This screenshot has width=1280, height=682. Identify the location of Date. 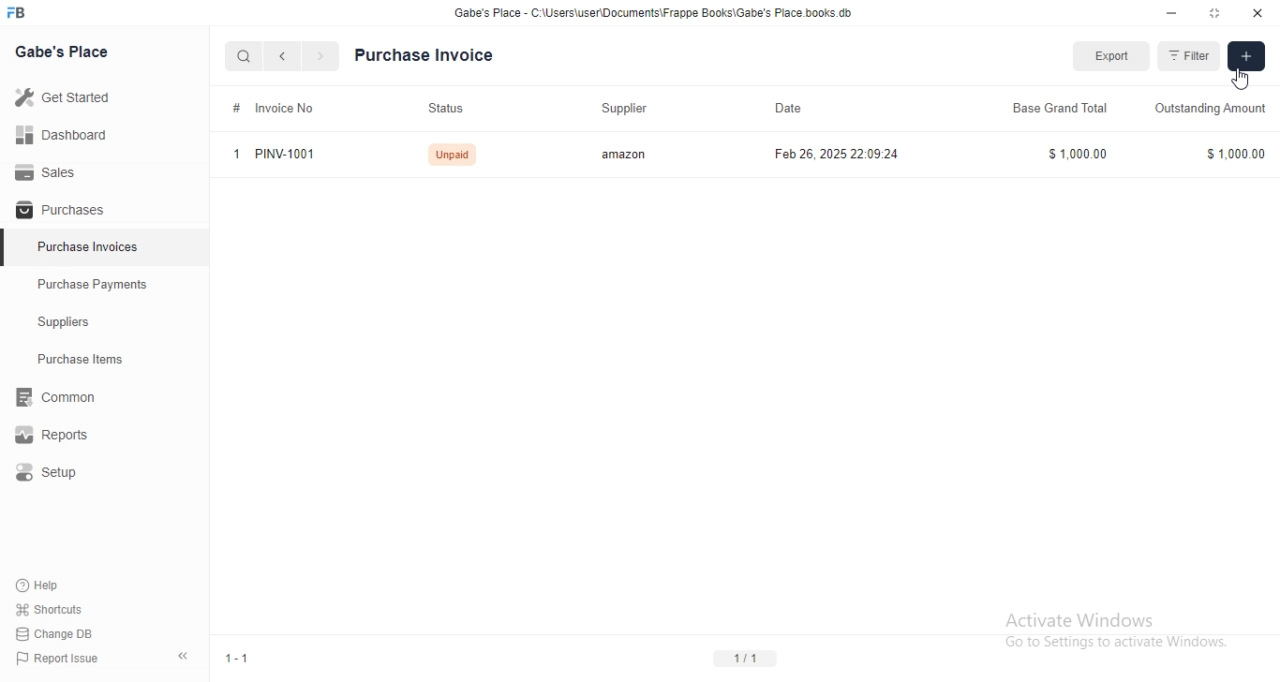
(844, 108).